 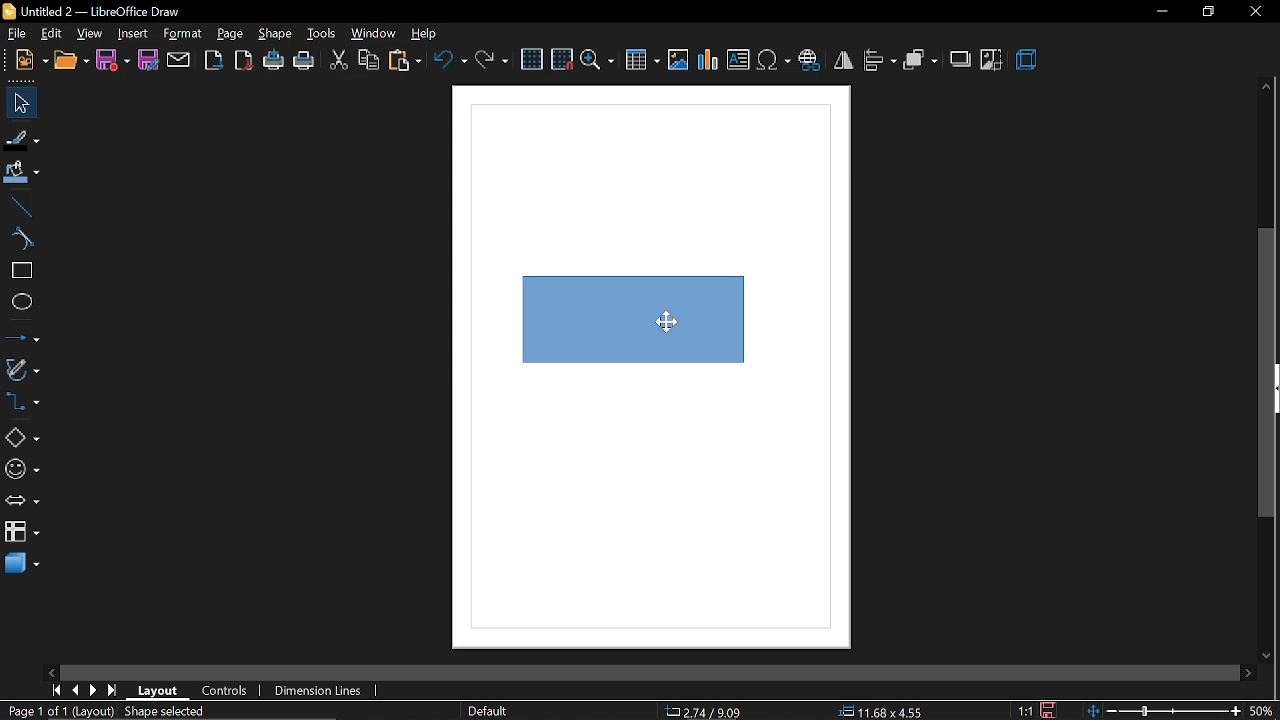 I want to click on save, so click(x=111, y=61).